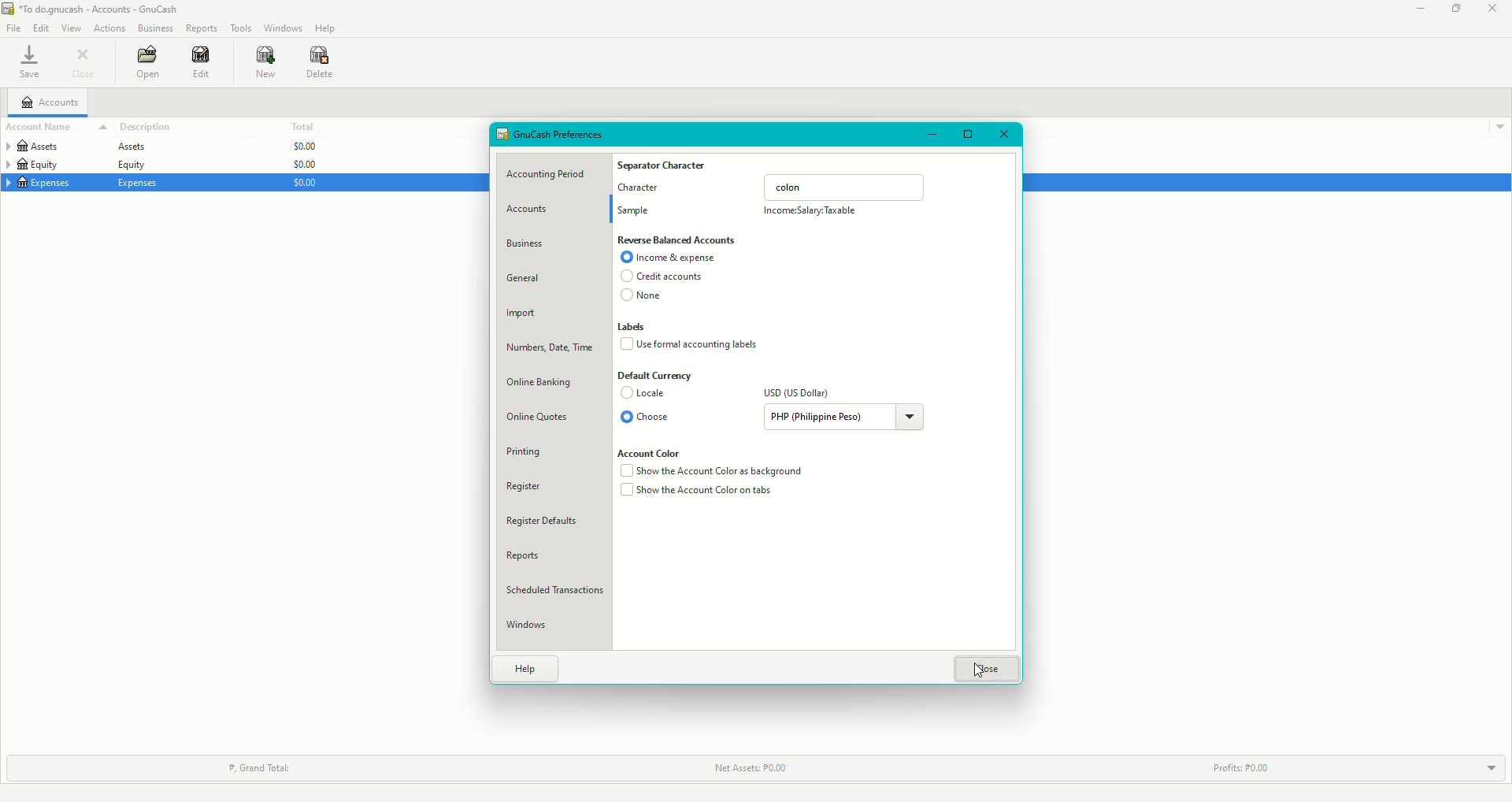  What do you see at coordinates (203, 28) in the screenshot?
I see `Reports` at bounding box center [203, 28].